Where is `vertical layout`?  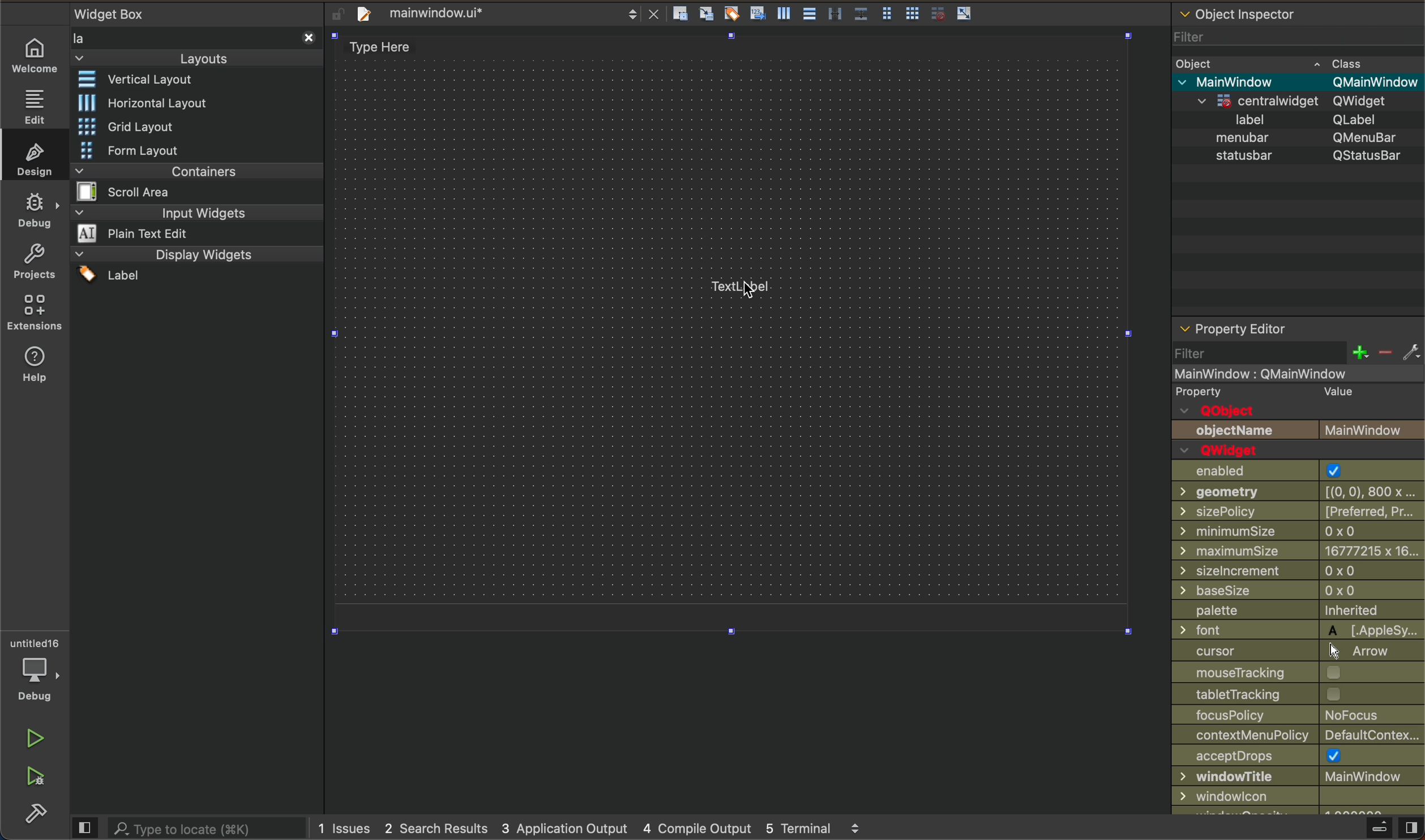
vertical layout is located at coordinates (147, 80).